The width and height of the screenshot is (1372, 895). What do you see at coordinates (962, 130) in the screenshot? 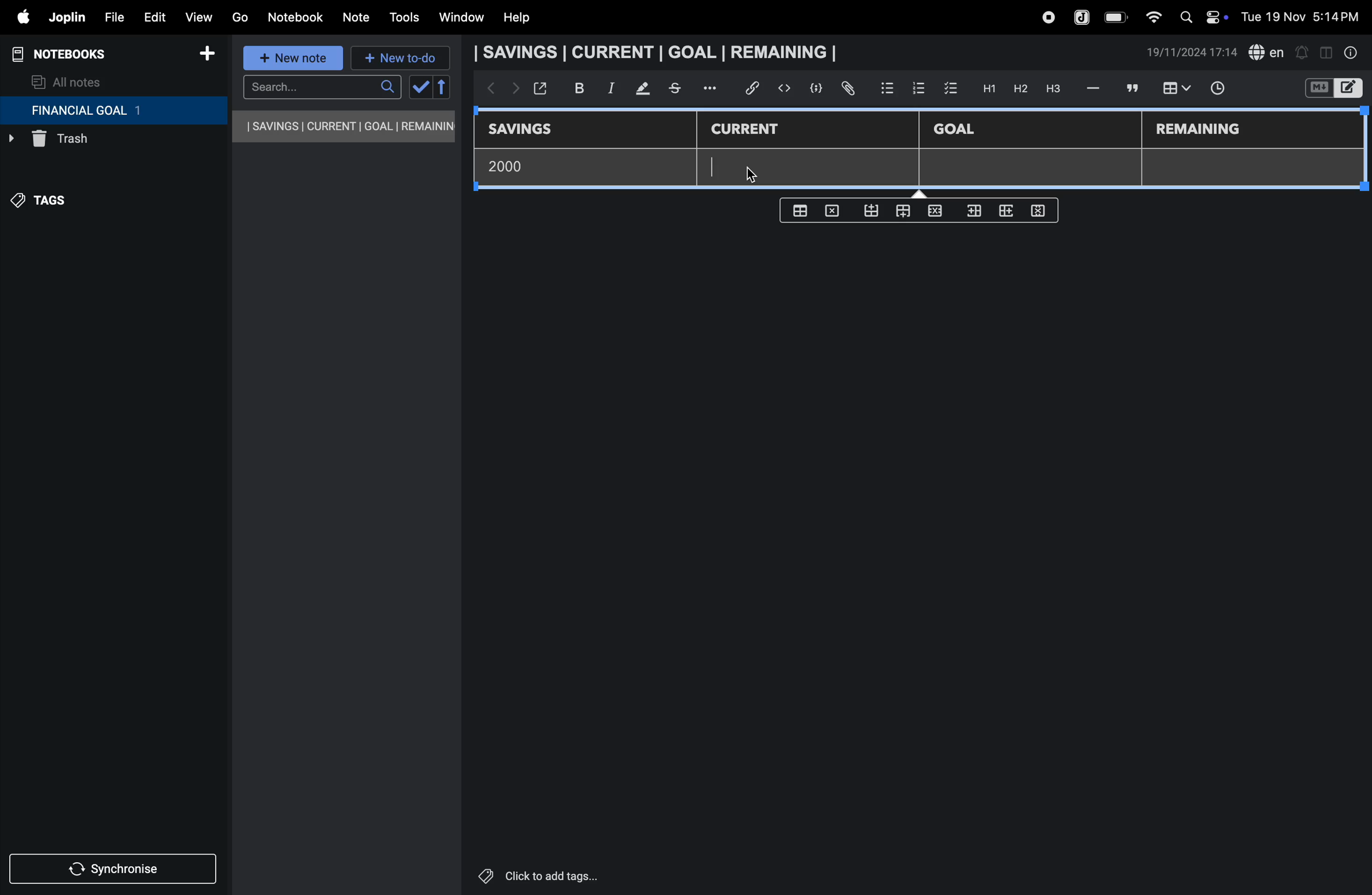
I see `Goal` at bounding box center [962, 130].